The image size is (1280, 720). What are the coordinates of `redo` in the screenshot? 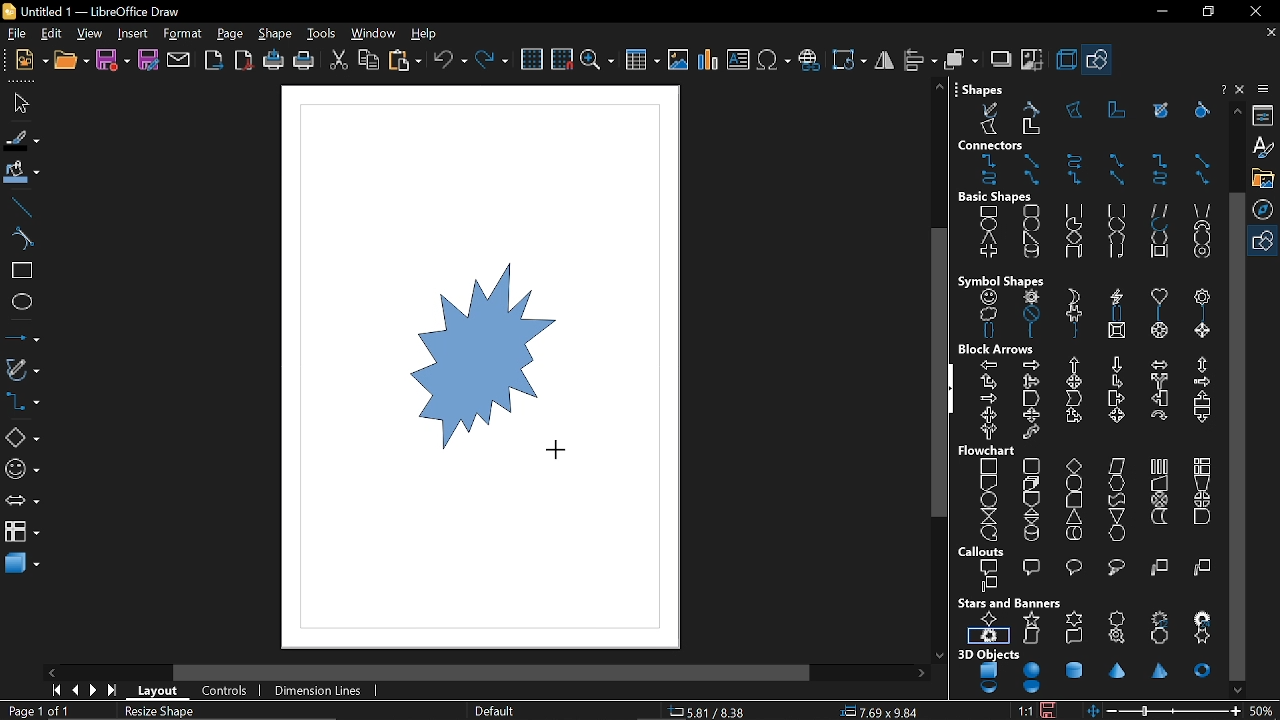 It's located at (492, 62).